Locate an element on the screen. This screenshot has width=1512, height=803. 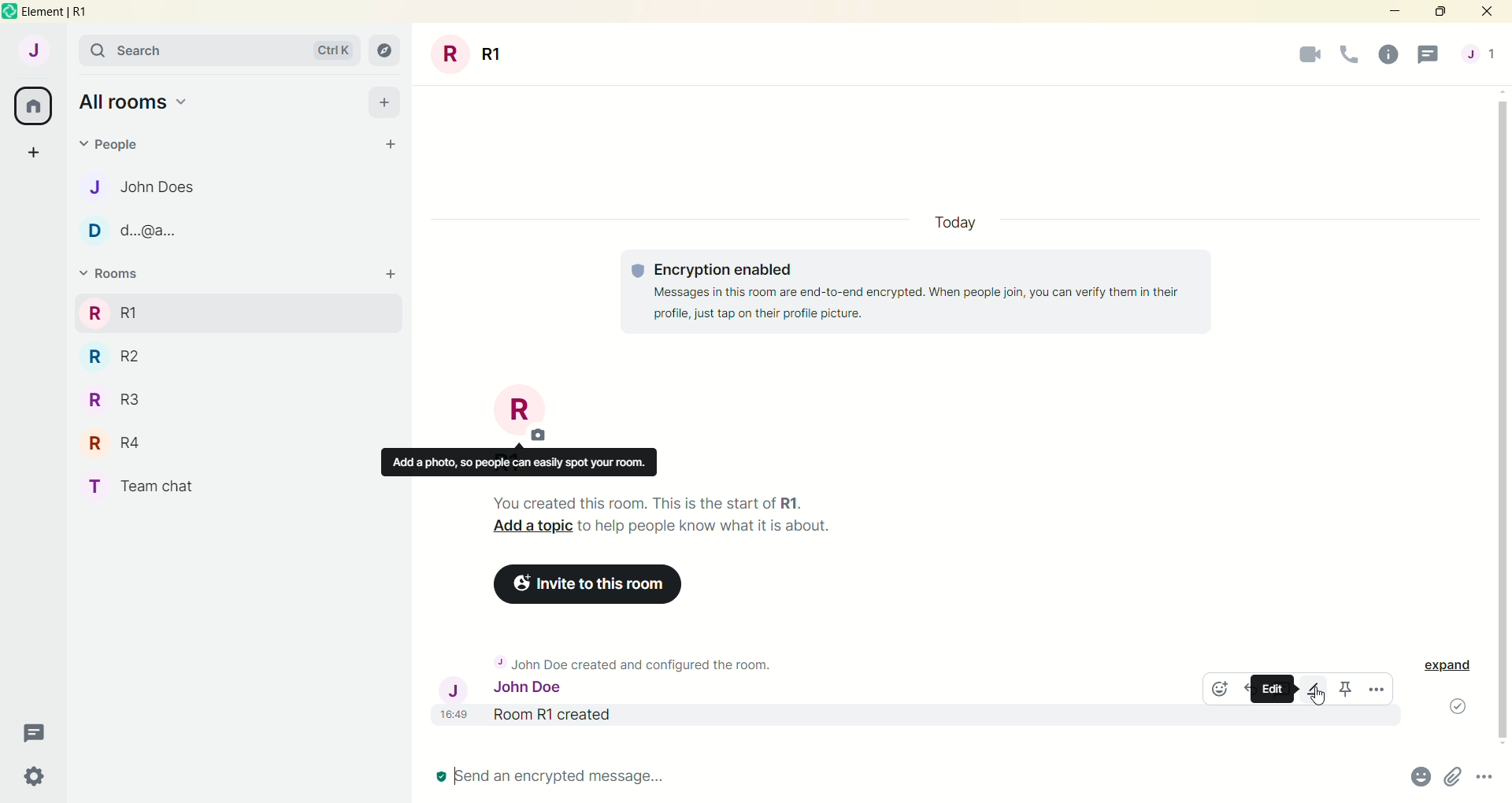
J John Does is located at coordinates (151, 187).